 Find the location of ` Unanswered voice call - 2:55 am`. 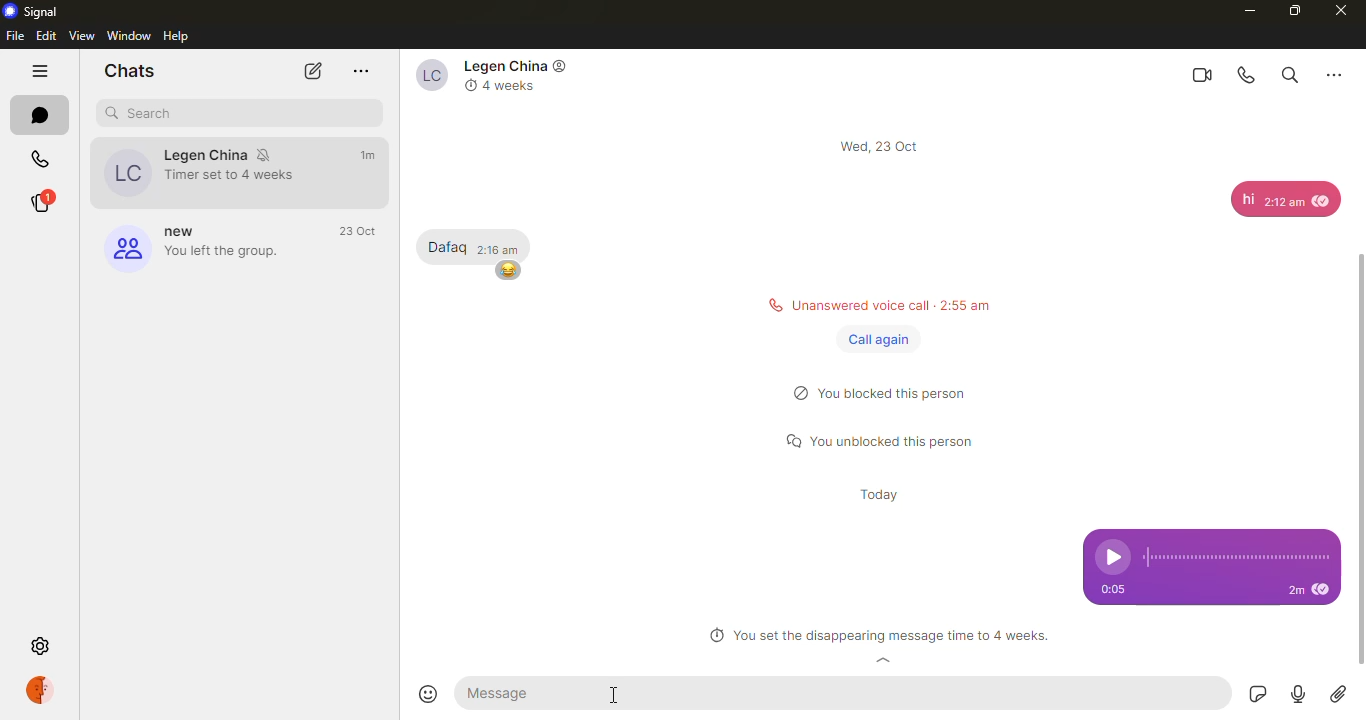

 Unanswered voice call - 2:55 am is located at coordinates (873, 303).